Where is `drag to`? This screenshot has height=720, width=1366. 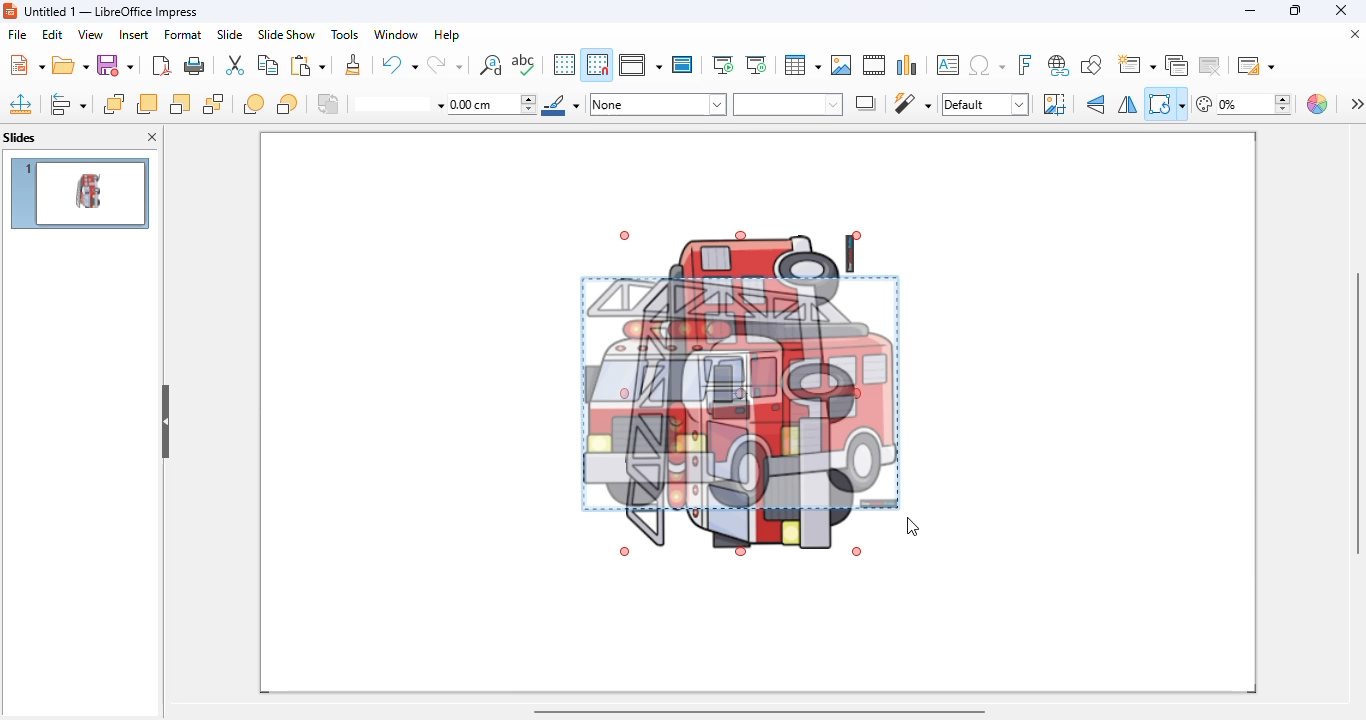
drag to is located at coordinates (914, 526).